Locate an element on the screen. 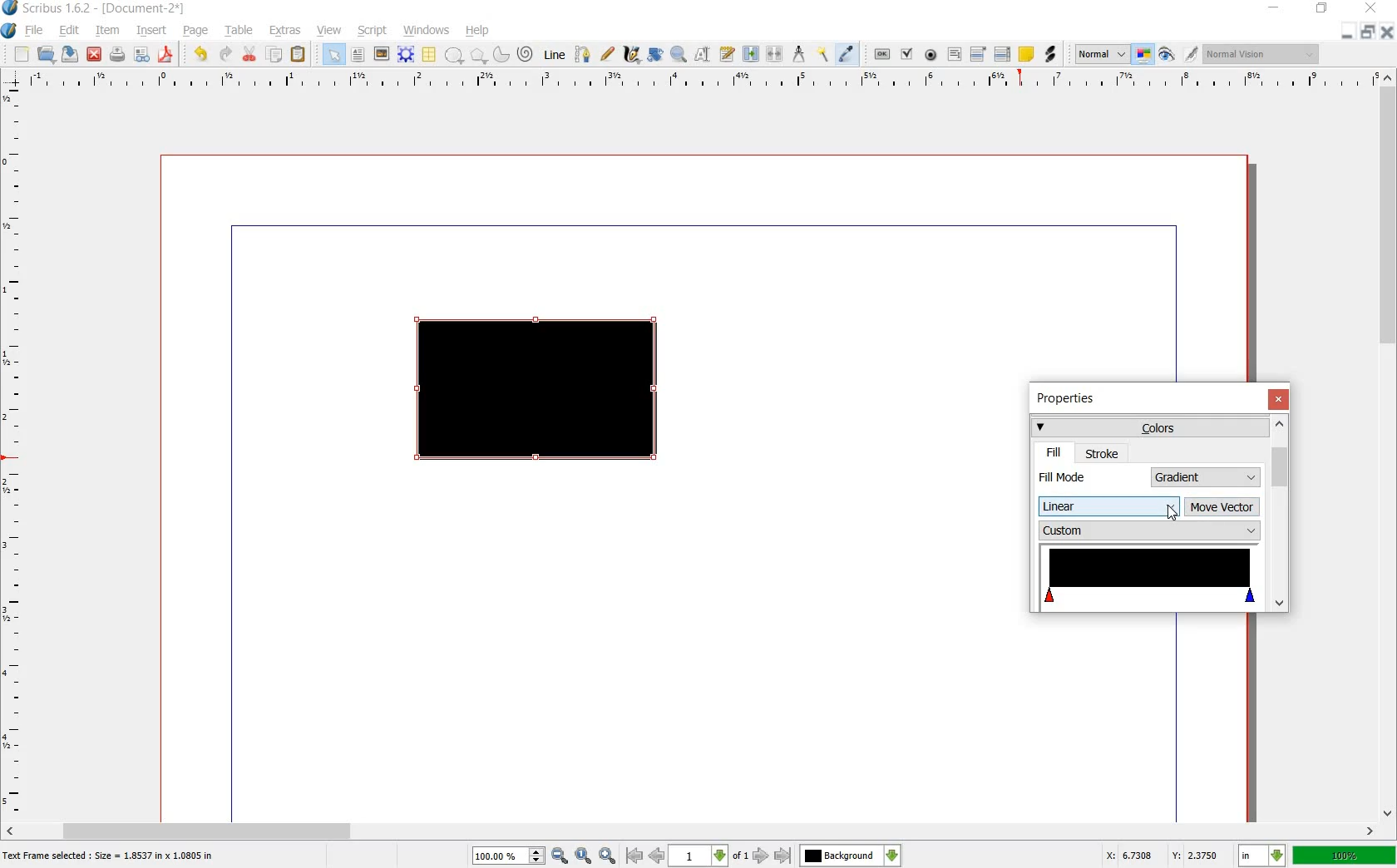 The image size is (1397, 868). eye dropper is located at coordinates (847, 55).